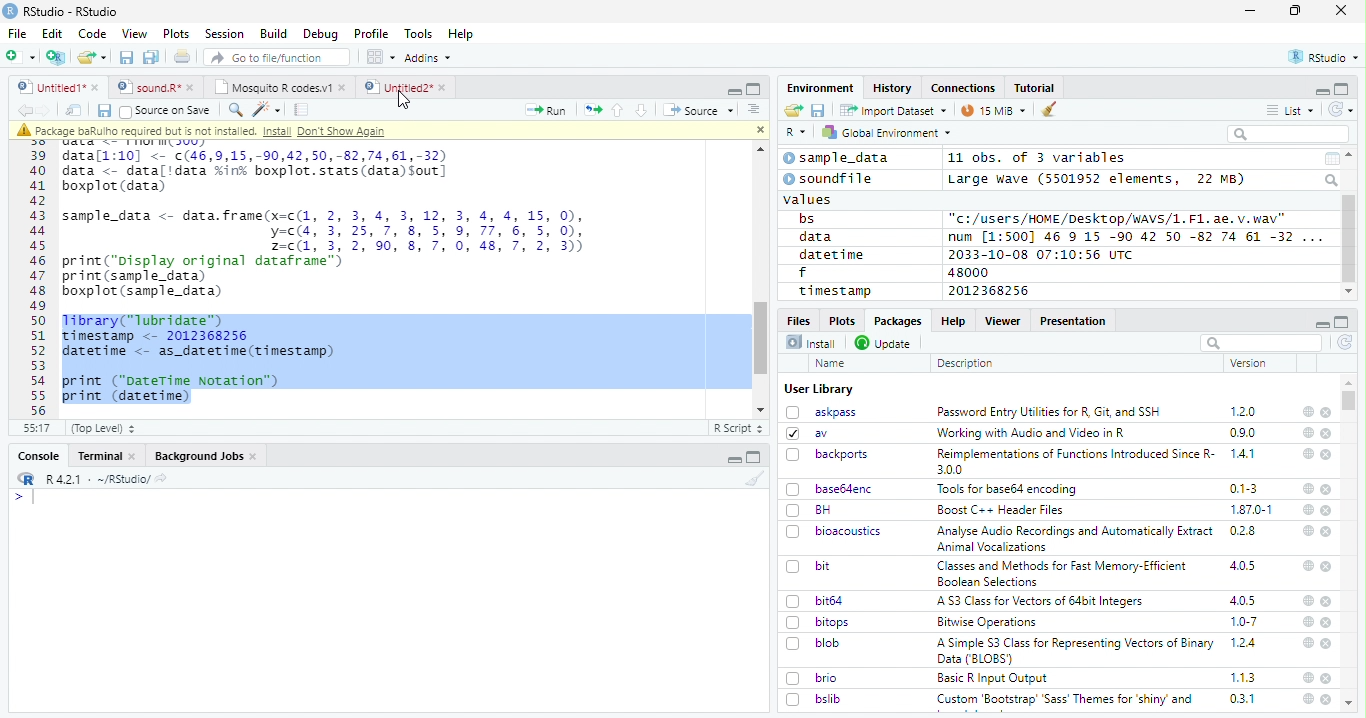  What do you see at coordinates (333, 276) in the screenshot?
I see `data[1:10] <- c(46,9,15,-90,42,50,-82,74,61,-32)

data <_ data[!data ink boxplot.stats(data)sout]

boxplot (data)

sample_data <- data.frame(x=c(1, 2, 3, 4, 3, 12, 3, 4, 4, 15, 0),
y-c(4, 3, 25,7, 8,5, 9,77, 6,5, 0),
2=c(1, 3, 2, 90, 8, 7, 0, 48, 7, 2, 3))

print("pisplay original dataframe™)

print (sample_data)

boxplot (sample_data)

Jibrary("lubridate™)

Timestamp <- 2012368256

datetime <- as_datetime(tinestanp)

print ("DateTime Notation")

print (datetime)` at bounding box center [333, 276].